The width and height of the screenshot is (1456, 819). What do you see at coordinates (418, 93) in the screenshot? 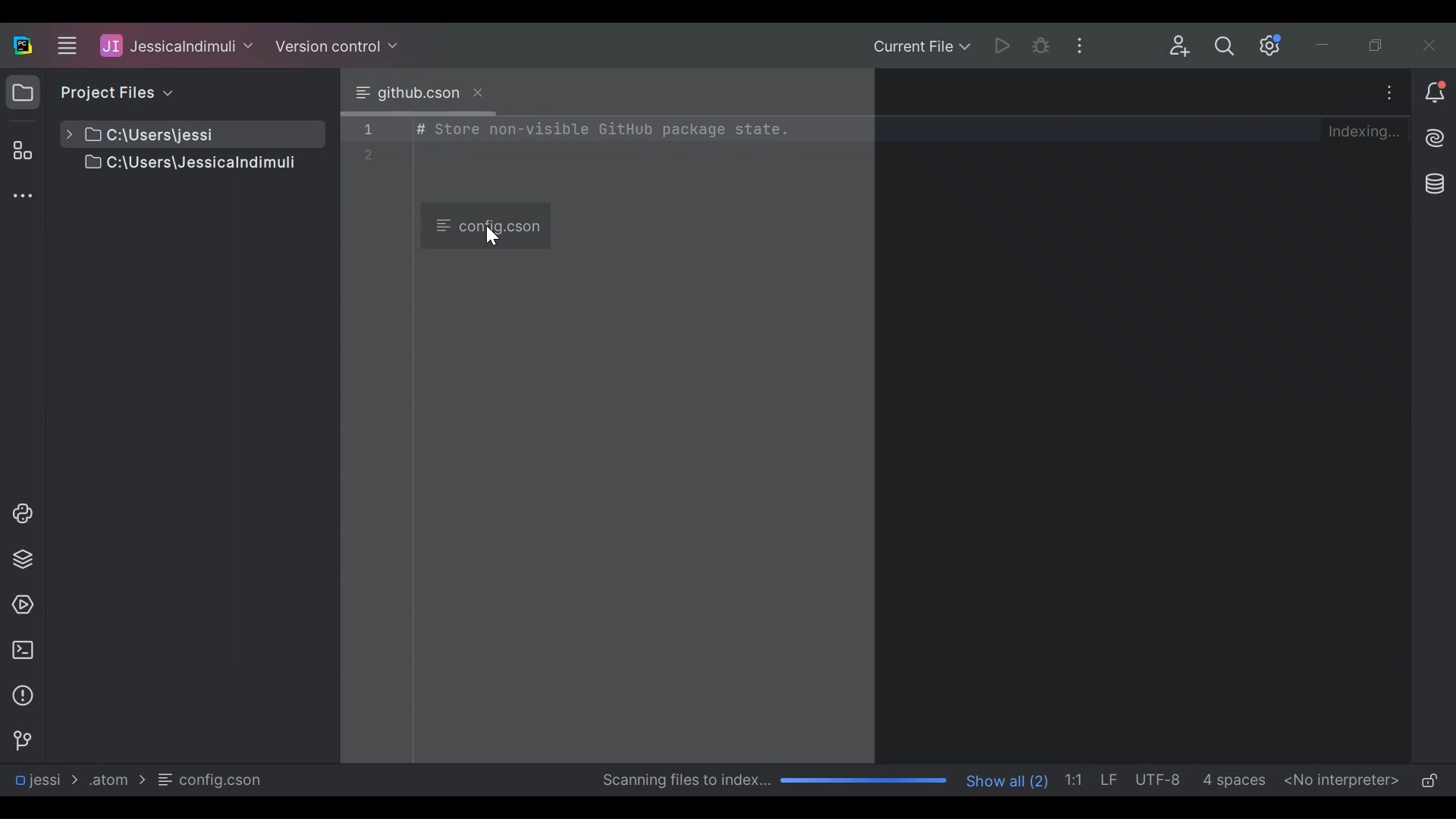
I see `current Tab` at bounding box center [418, 93].